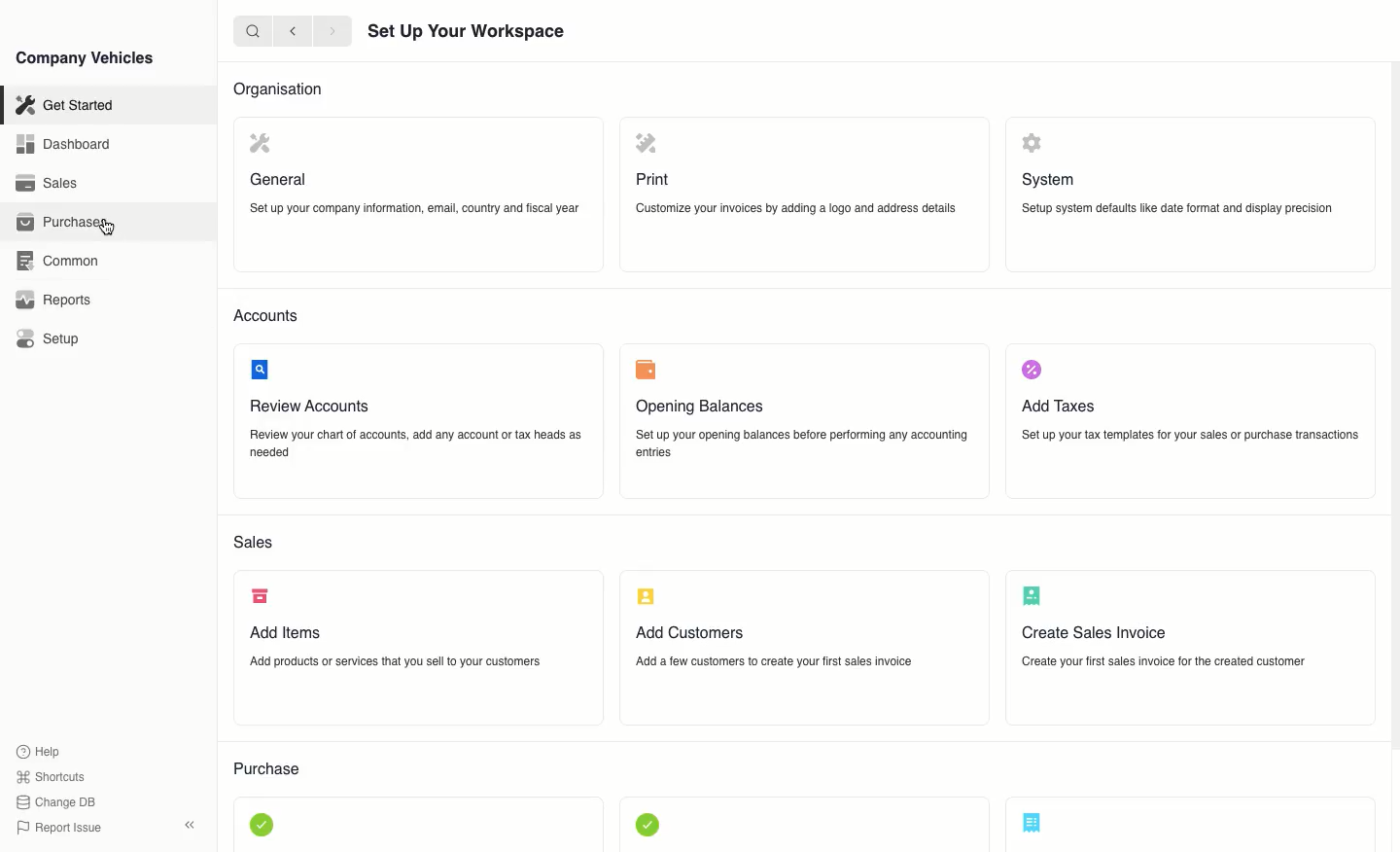  What do you see at coordinates (254, 31) in the screenshot?
I see `search` at bounding box center [254, 31].